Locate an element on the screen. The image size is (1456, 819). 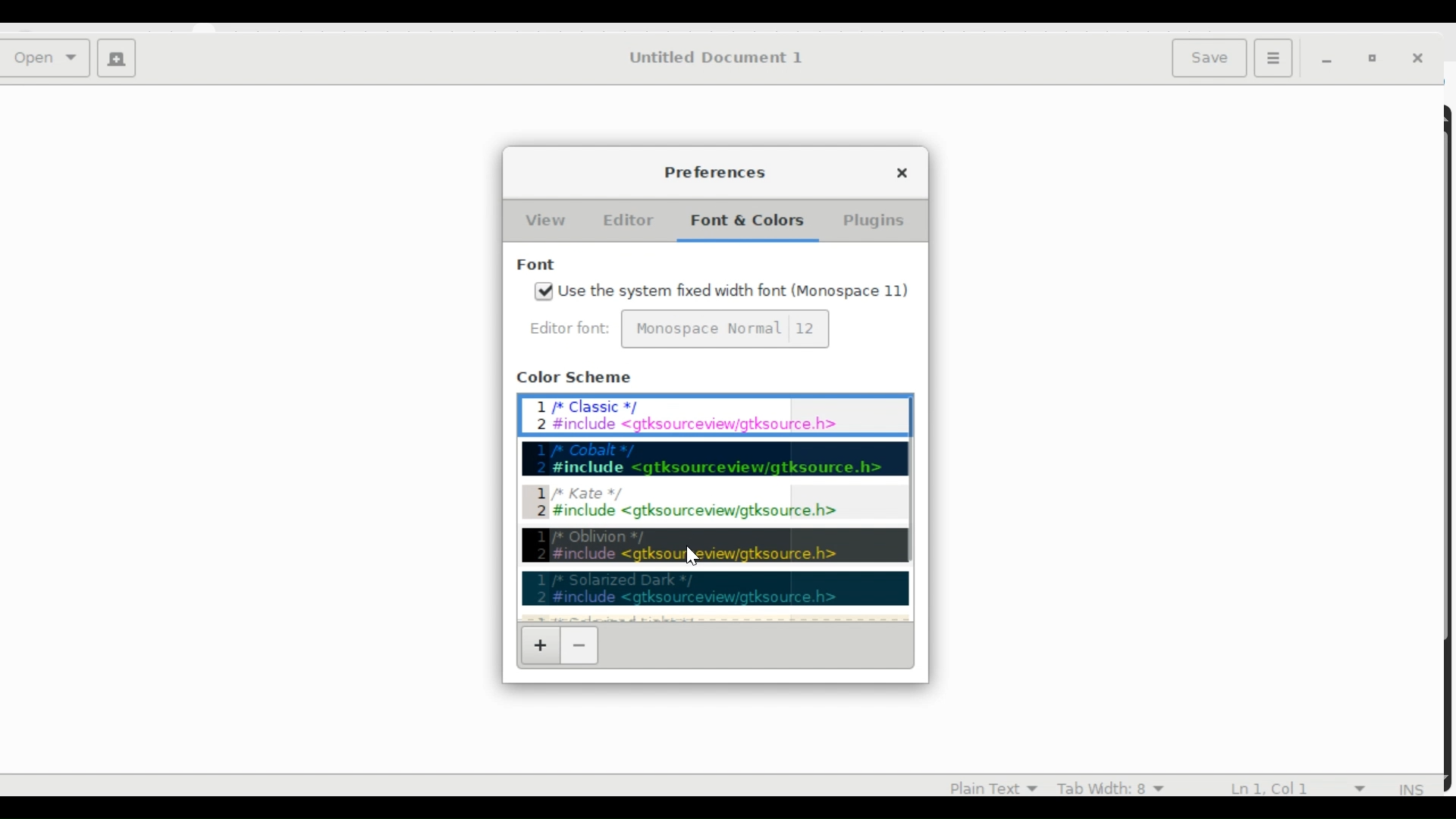
Tab Width is located at coordinates (1109, 786).